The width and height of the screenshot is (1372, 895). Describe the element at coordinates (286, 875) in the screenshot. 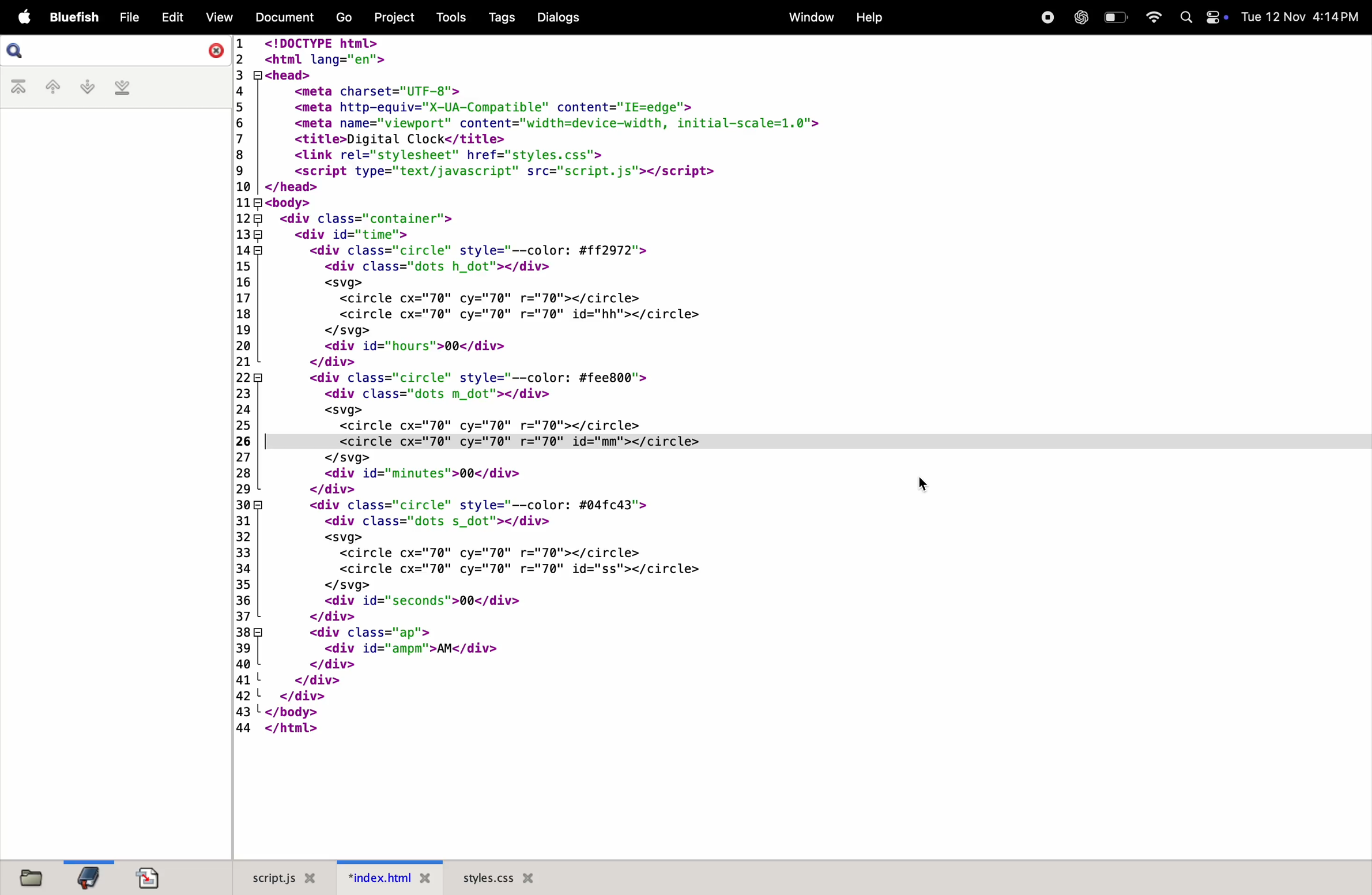

I see `script.js` at that location.